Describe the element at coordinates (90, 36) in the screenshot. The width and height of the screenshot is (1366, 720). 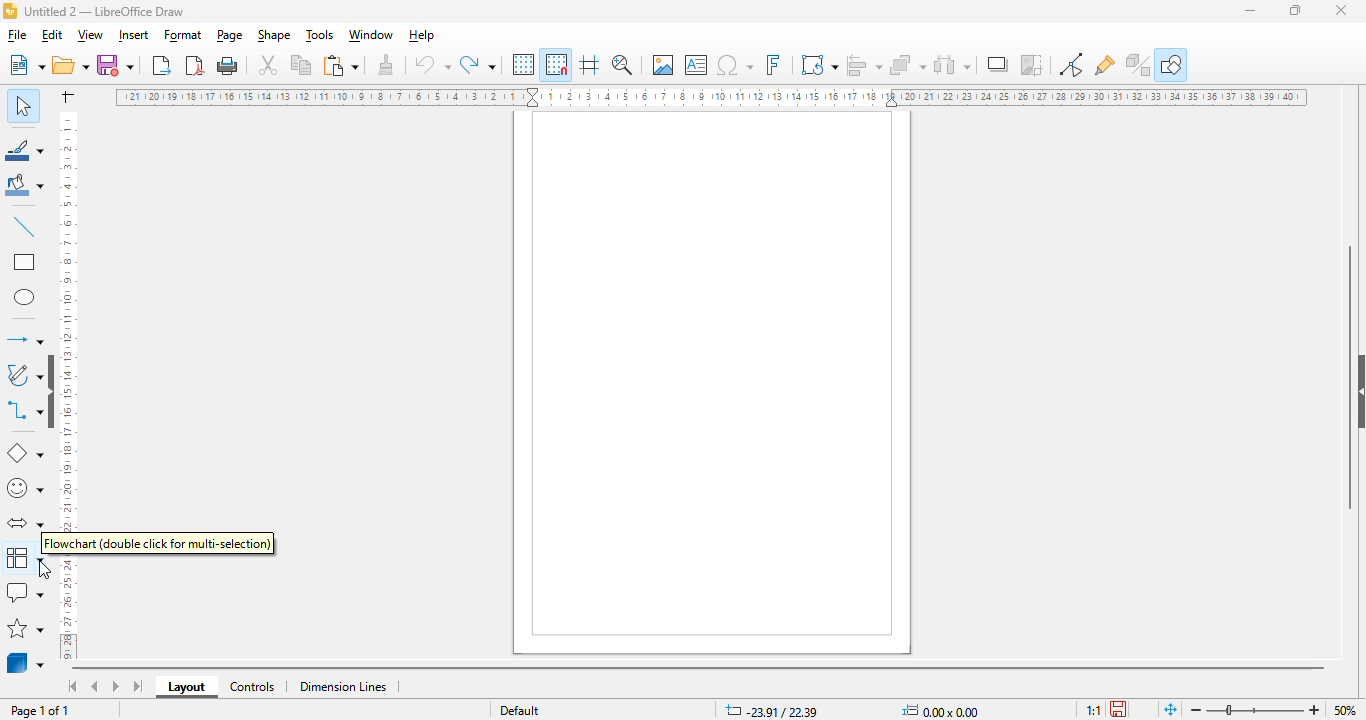
I see `view` at that location.